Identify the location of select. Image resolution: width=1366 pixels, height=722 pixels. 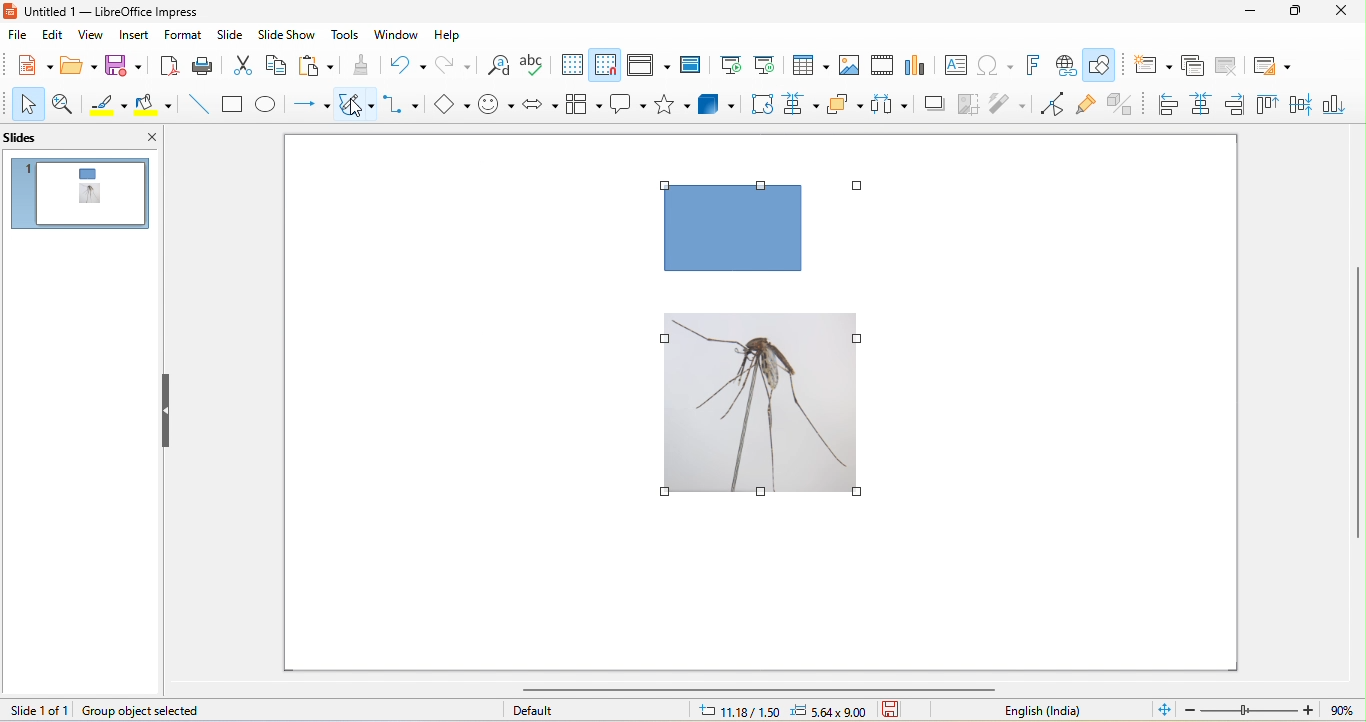
(25, 104).